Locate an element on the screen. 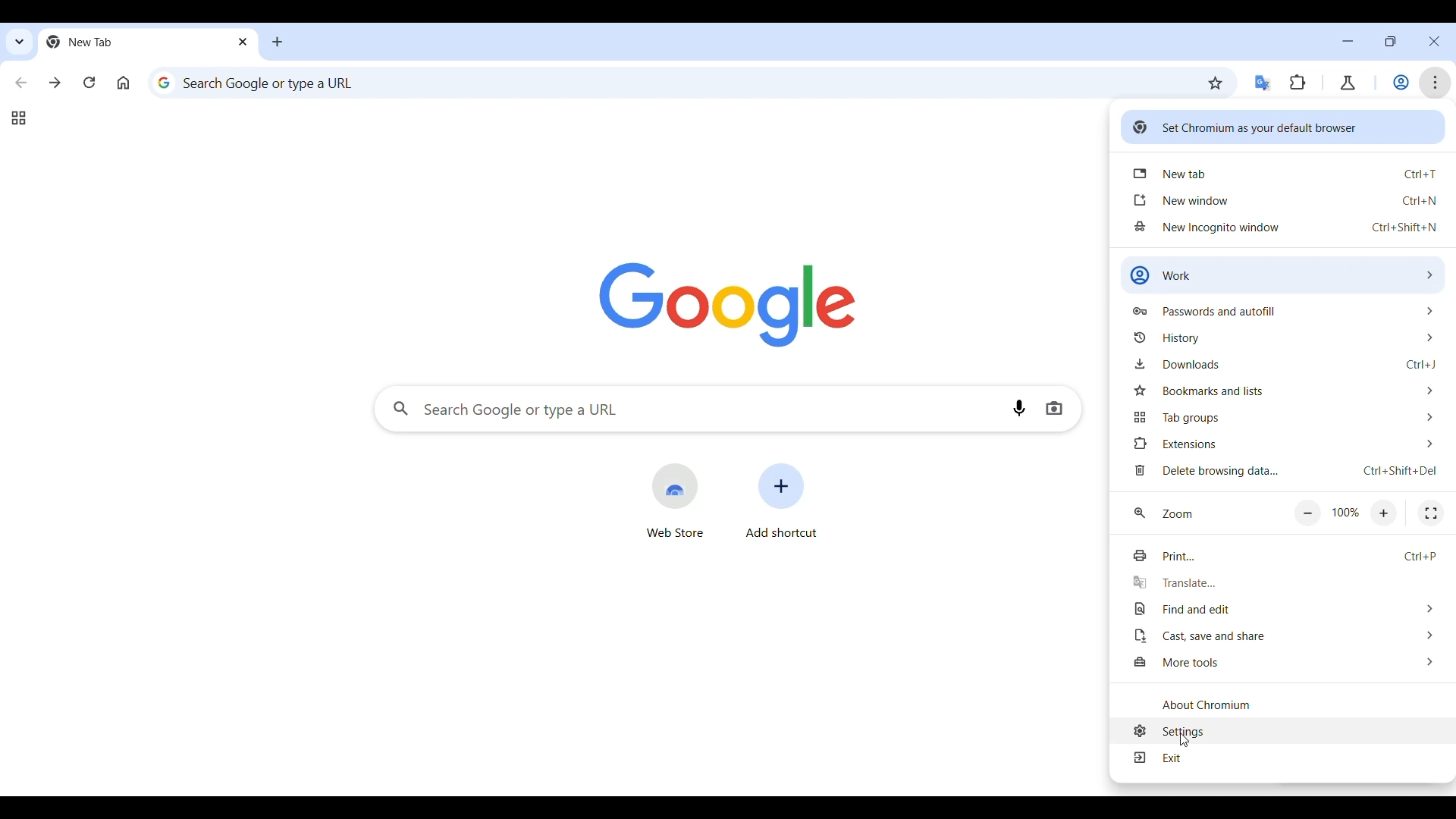 Image resolution: width=1456 pixels, height=819 pixels. Tab groups is located at coordinates (18, 118).